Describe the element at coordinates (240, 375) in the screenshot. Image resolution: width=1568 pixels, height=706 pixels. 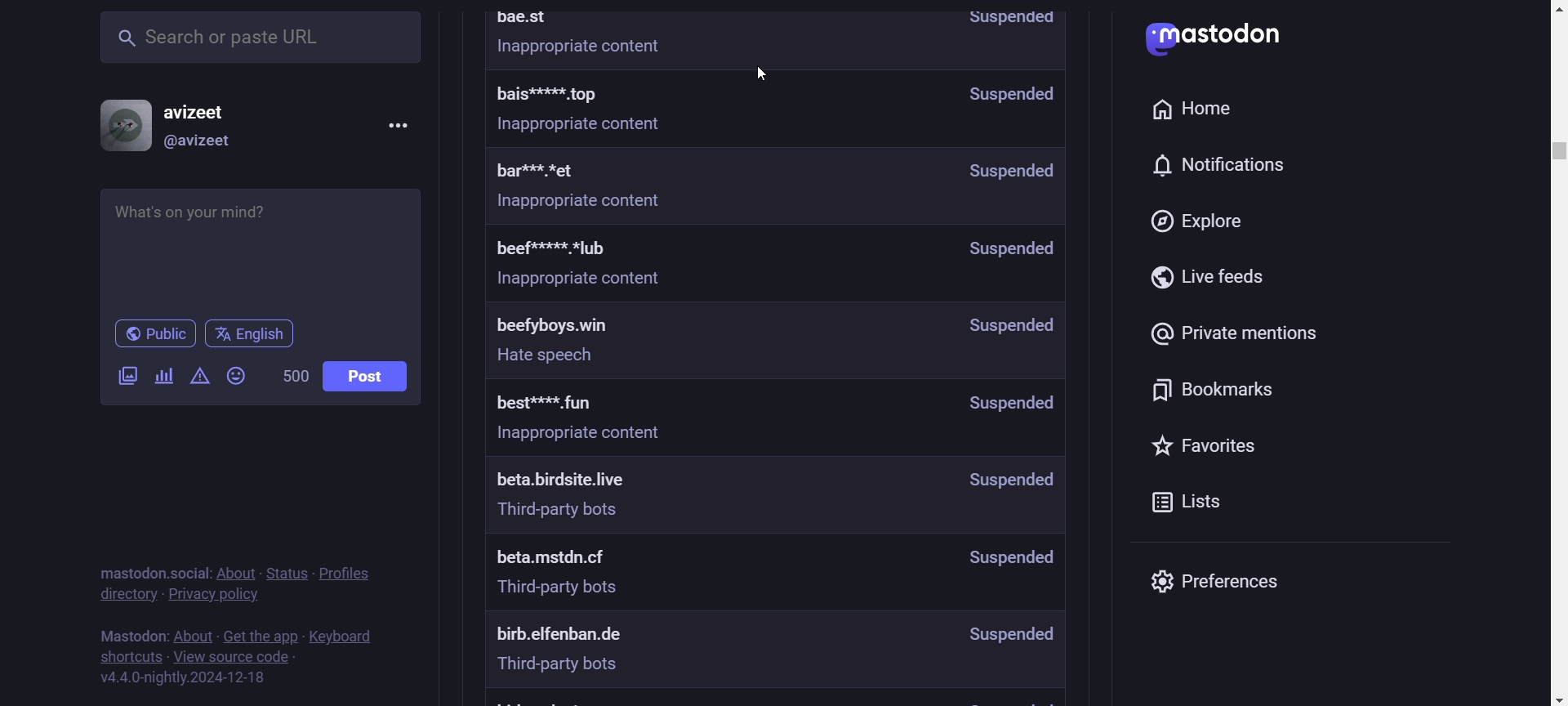
I see `add emojis` at that location.